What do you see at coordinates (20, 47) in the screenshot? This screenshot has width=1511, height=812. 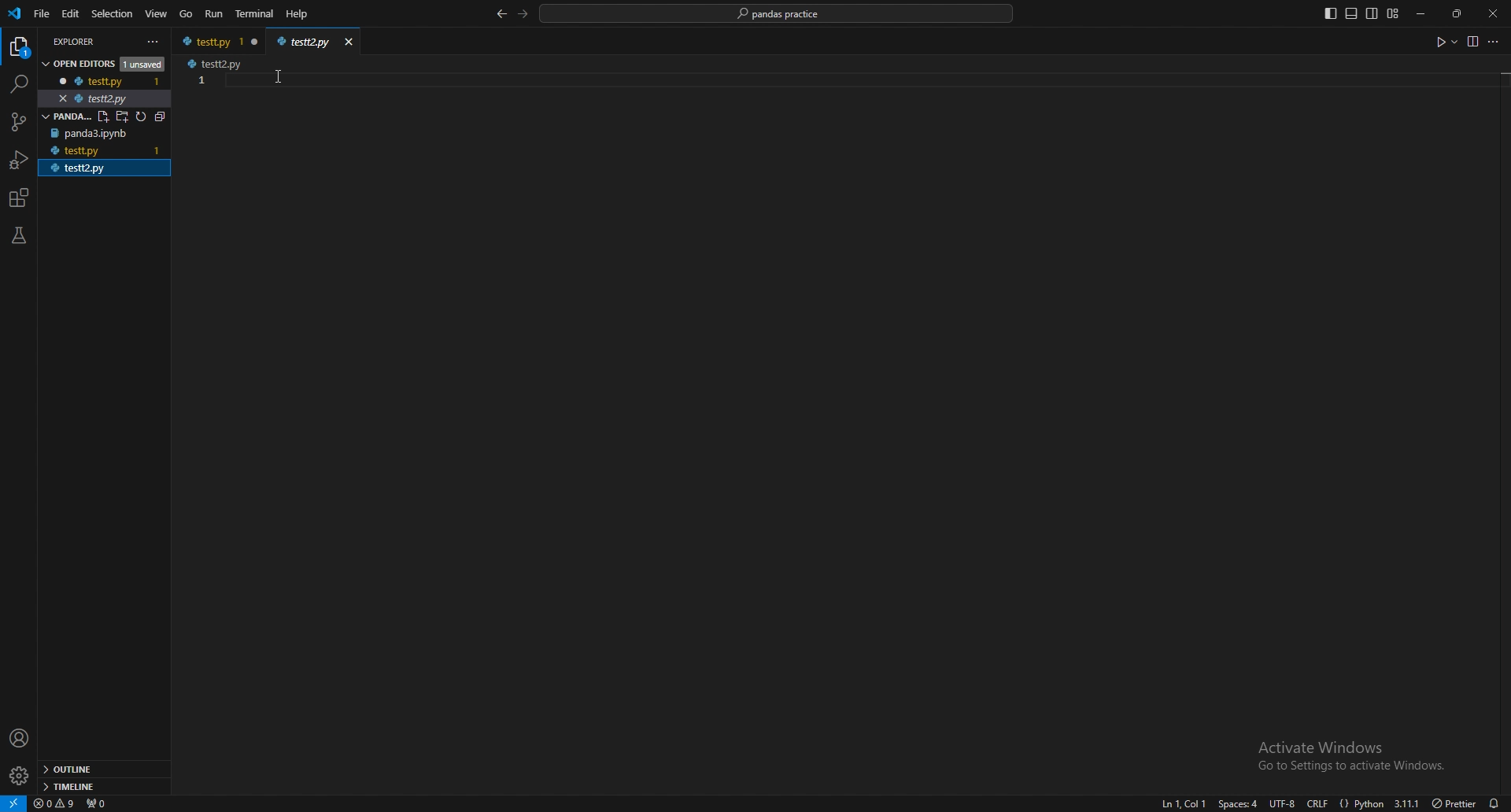 I see `explorer` at bounding box center [20, 47].